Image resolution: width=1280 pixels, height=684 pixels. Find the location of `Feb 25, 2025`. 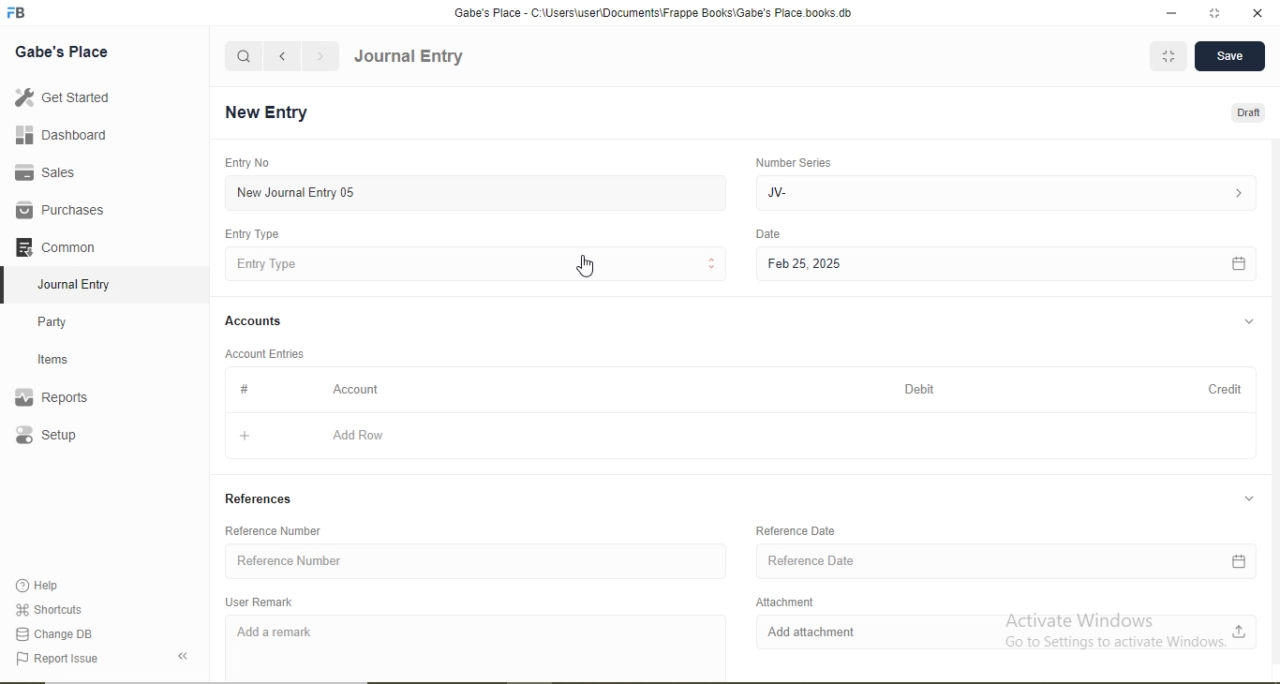

Feb 25, 2025 is located at coordinates (1005, 265).